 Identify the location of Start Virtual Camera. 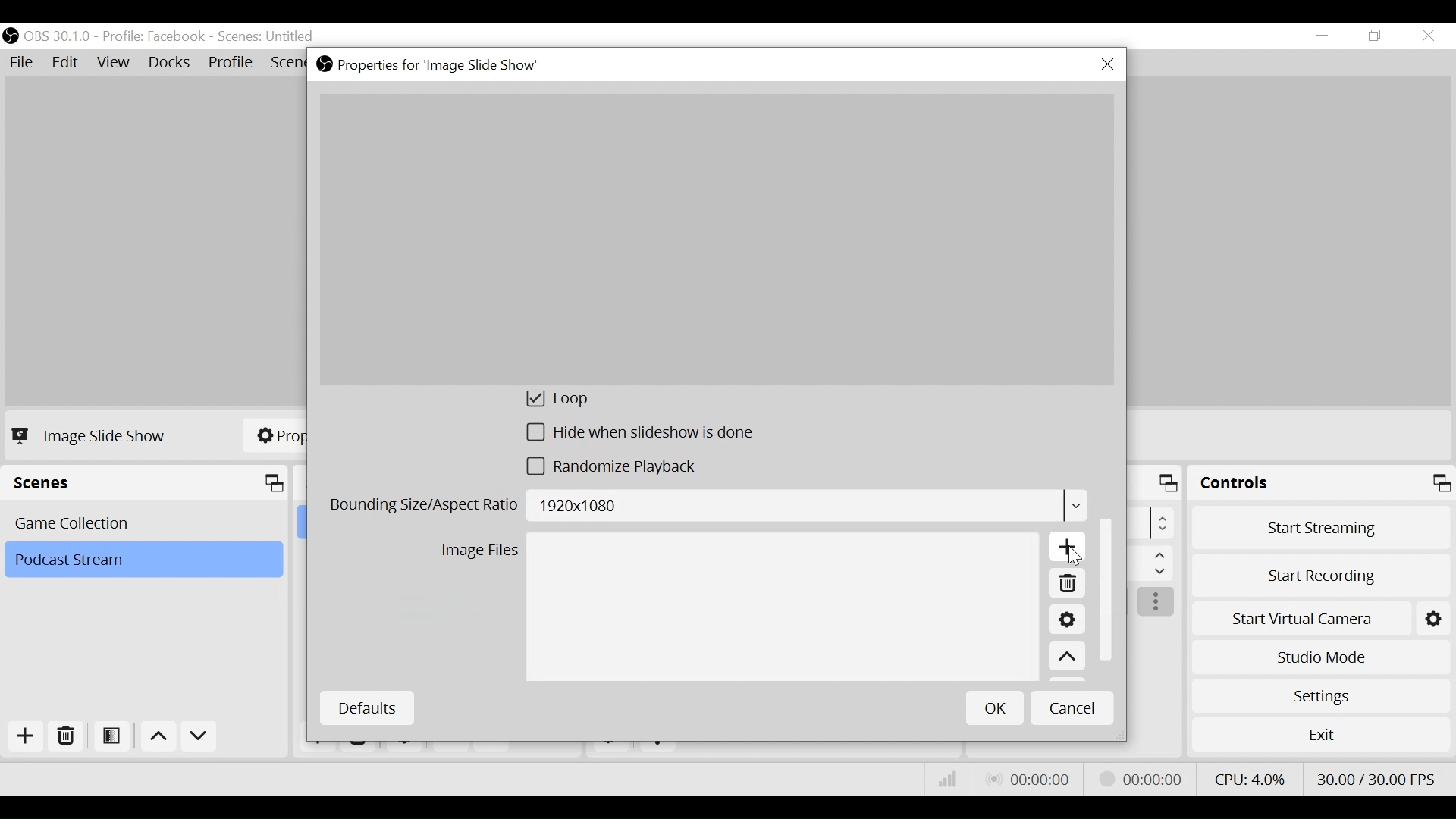
(1321, 616).